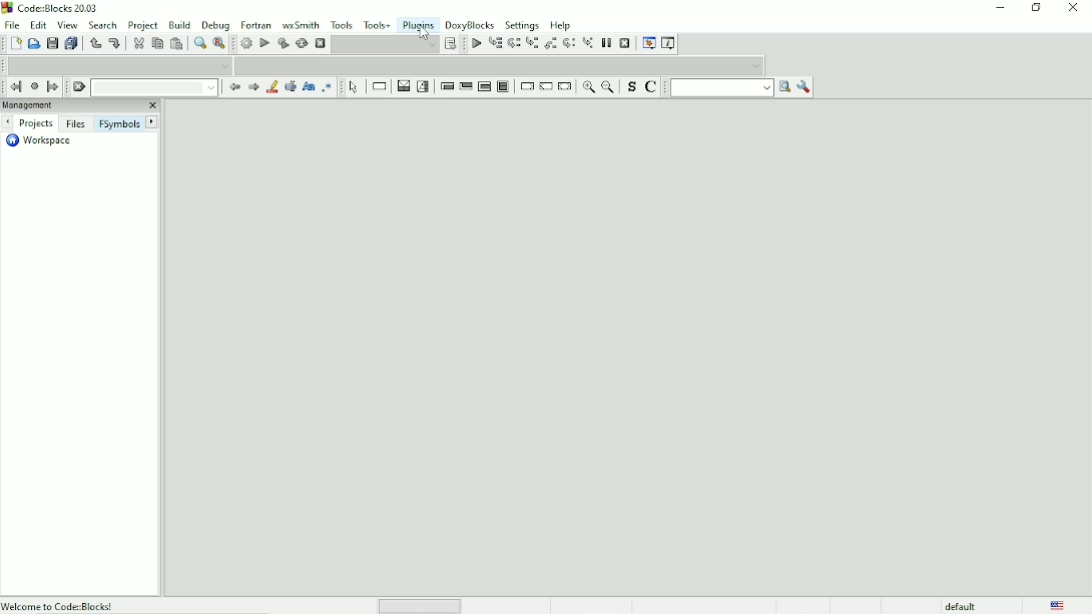 The image size is (1092, 614). What do you see at coordinates (515, 44) in the screenshot?
I see `Next line` at bounding box center [515, 44].